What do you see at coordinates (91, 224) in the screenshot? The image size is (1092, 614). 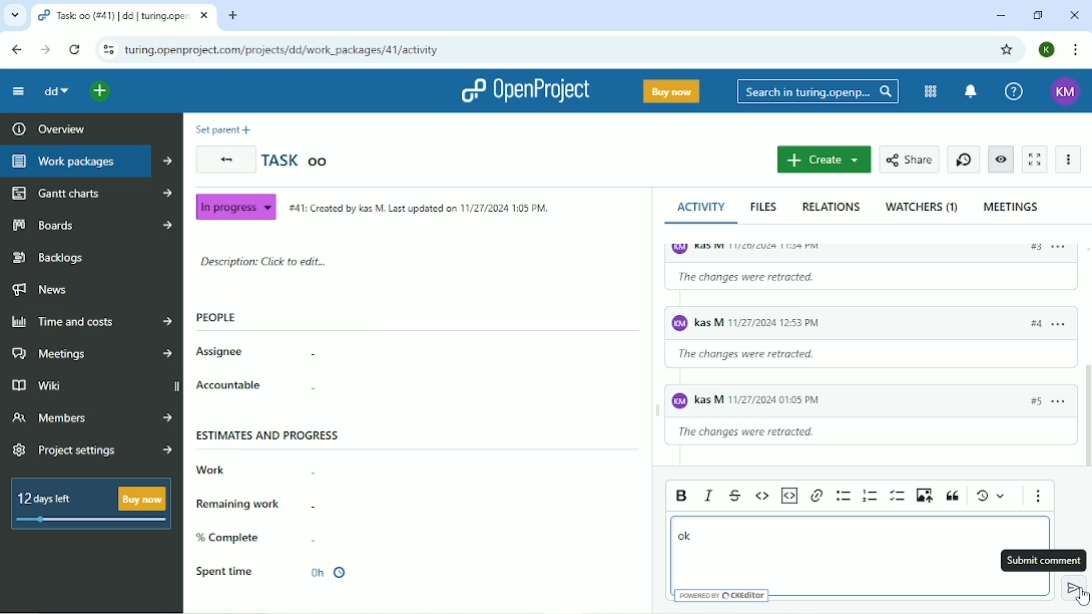 I see `Boards` at bounding box center [91, 224].